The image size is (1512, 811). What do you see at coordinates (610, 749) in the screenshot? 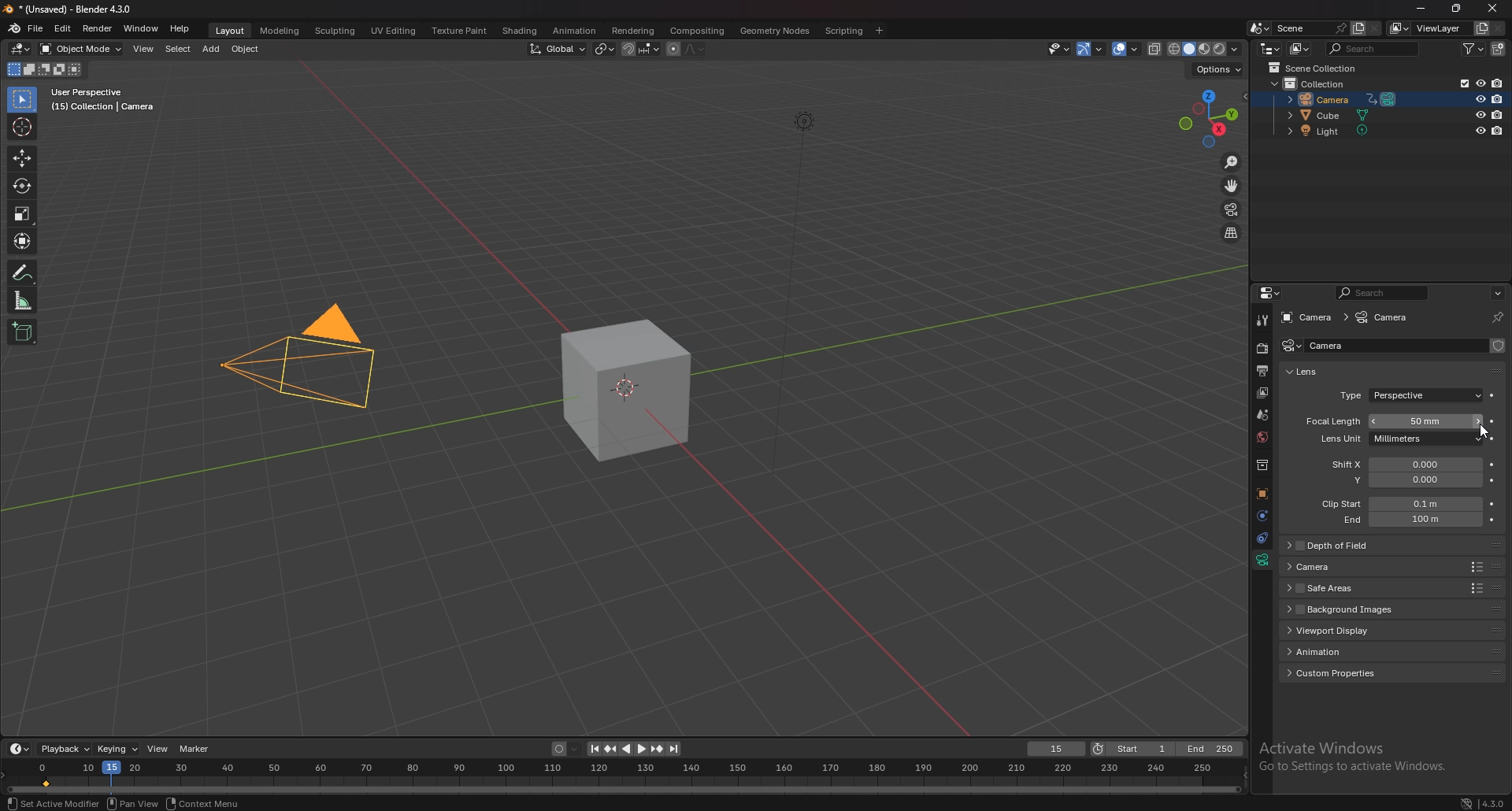
I see `jump to keyframe` at bounding box center [610, 749].